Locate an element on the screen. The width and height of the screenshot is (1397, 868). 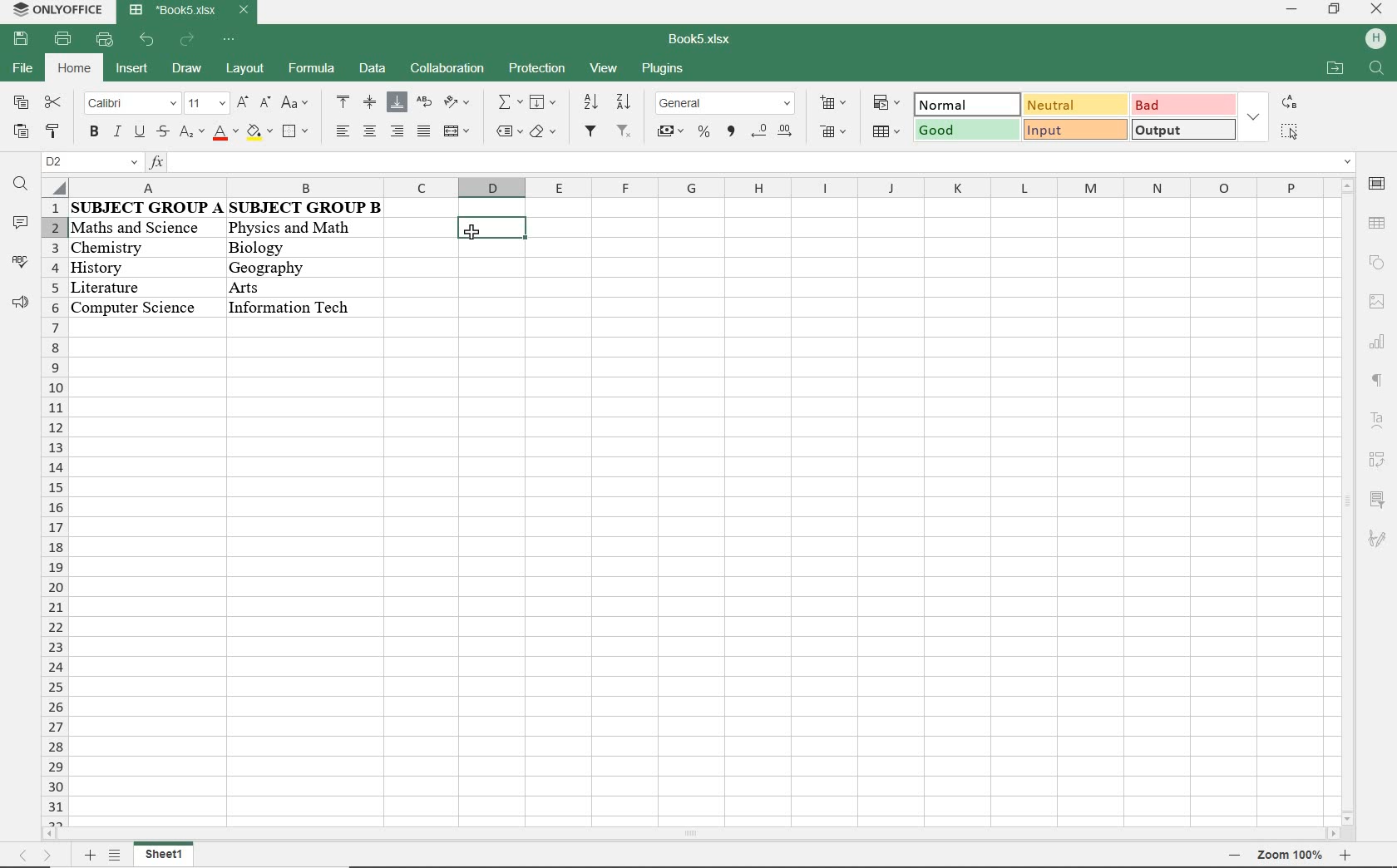
redo is located at coordinates (188, 42).